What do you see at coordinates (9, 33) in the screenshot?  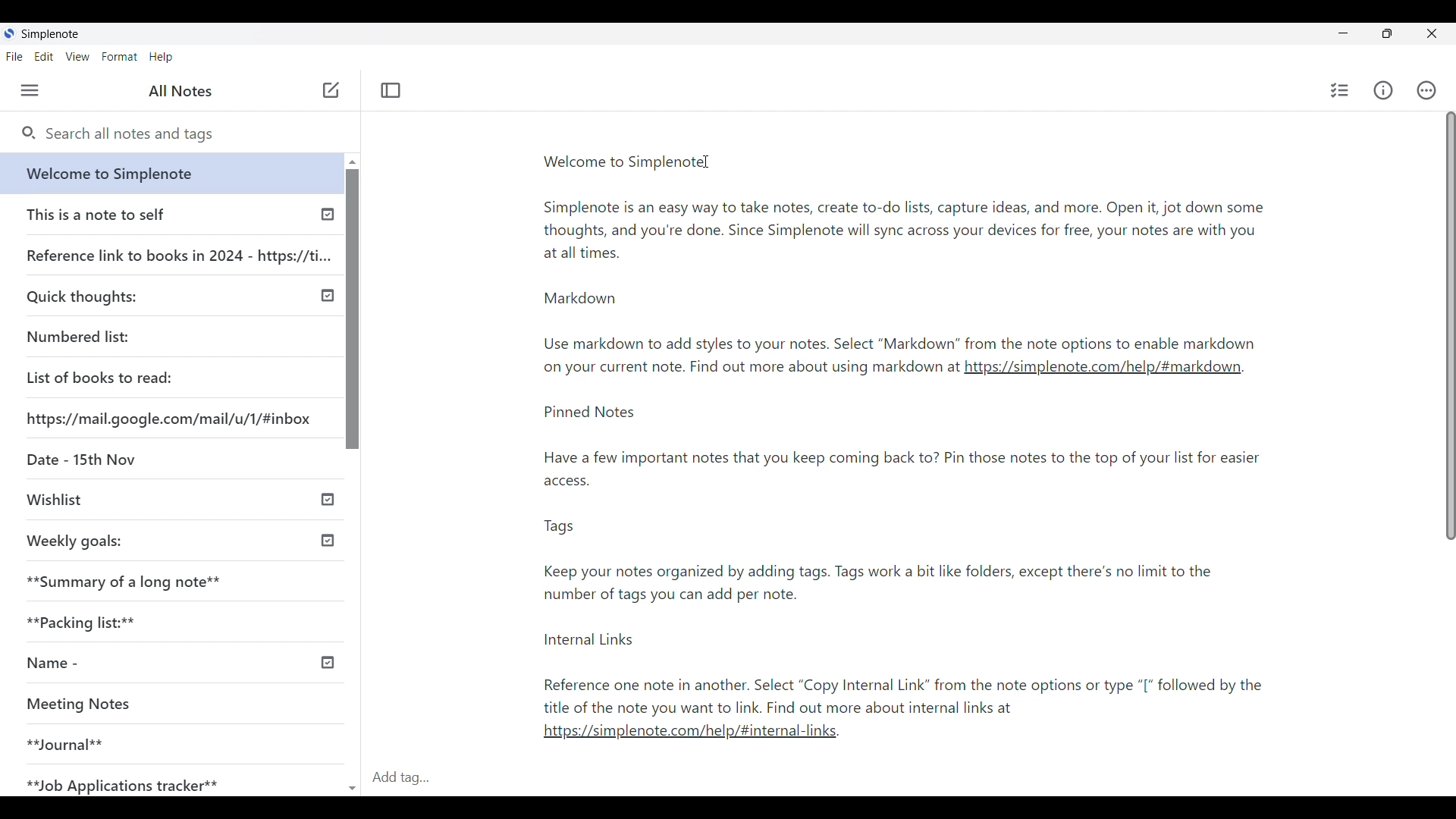 I see `Software logo` at bounding box center [9, 33].